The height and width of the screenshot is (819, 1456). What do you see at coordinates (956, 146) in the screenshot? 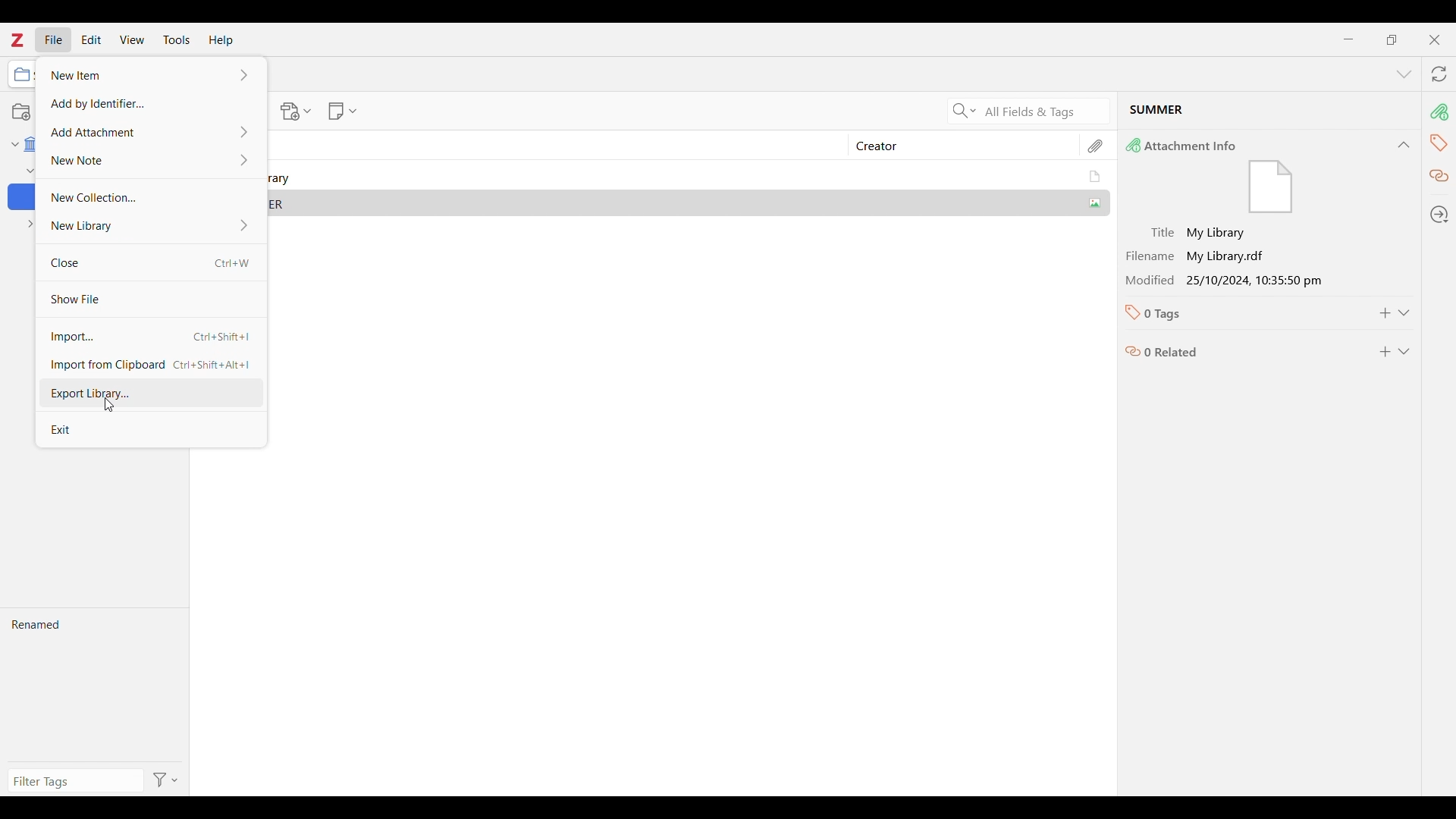
I see `Creator ` at bounding box center [956, 146].